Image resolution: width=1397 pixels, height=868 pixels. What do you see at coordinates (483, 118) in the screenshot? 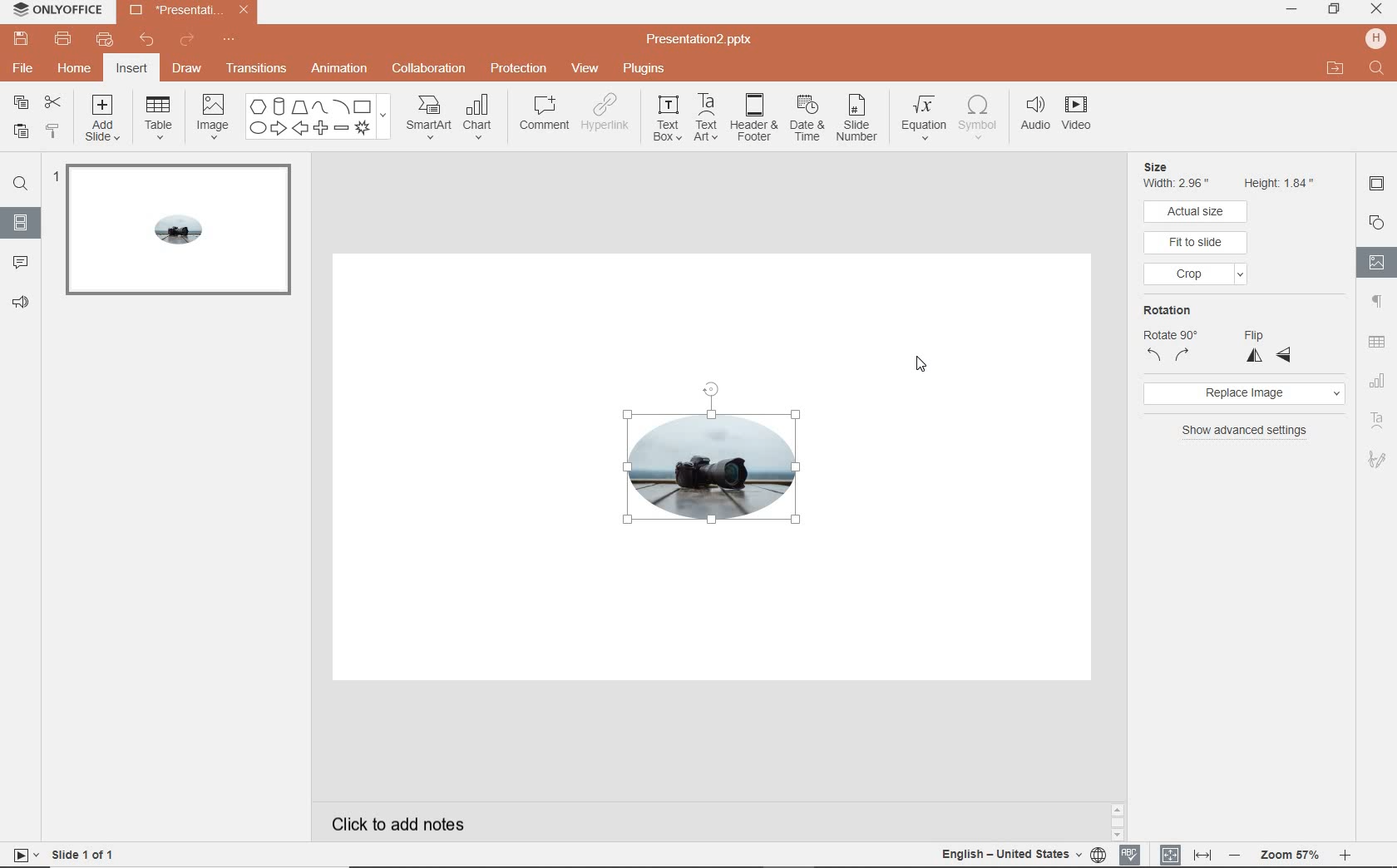
I see `chart` at bounding box center [483, 118].